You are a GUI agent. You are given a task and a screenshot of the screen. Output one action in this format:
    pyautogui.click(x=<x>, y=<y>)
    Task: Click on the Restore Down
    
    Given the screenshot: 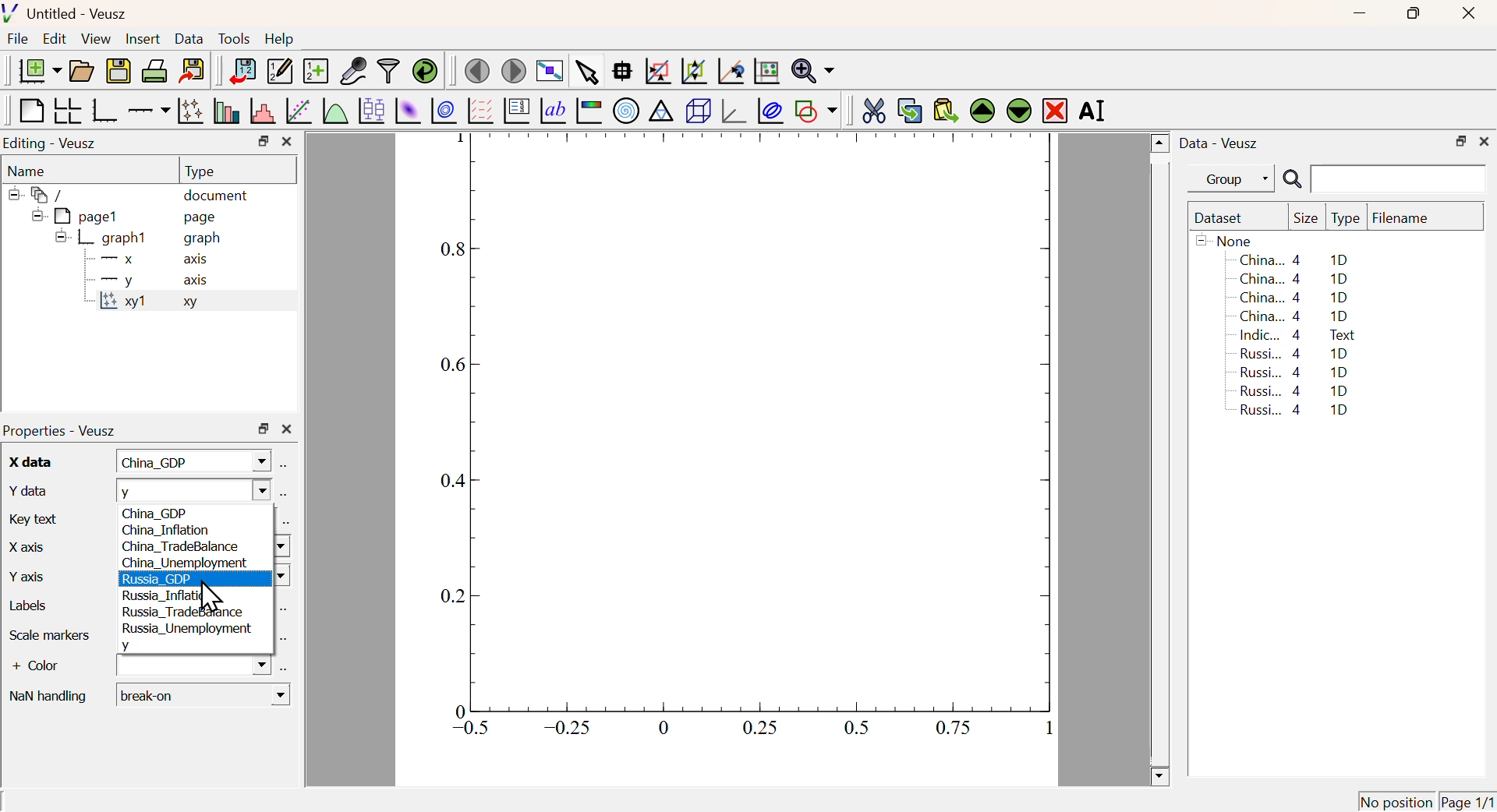 What is the action you would take?
    pyautogui.click(x=1460, y=142)
    